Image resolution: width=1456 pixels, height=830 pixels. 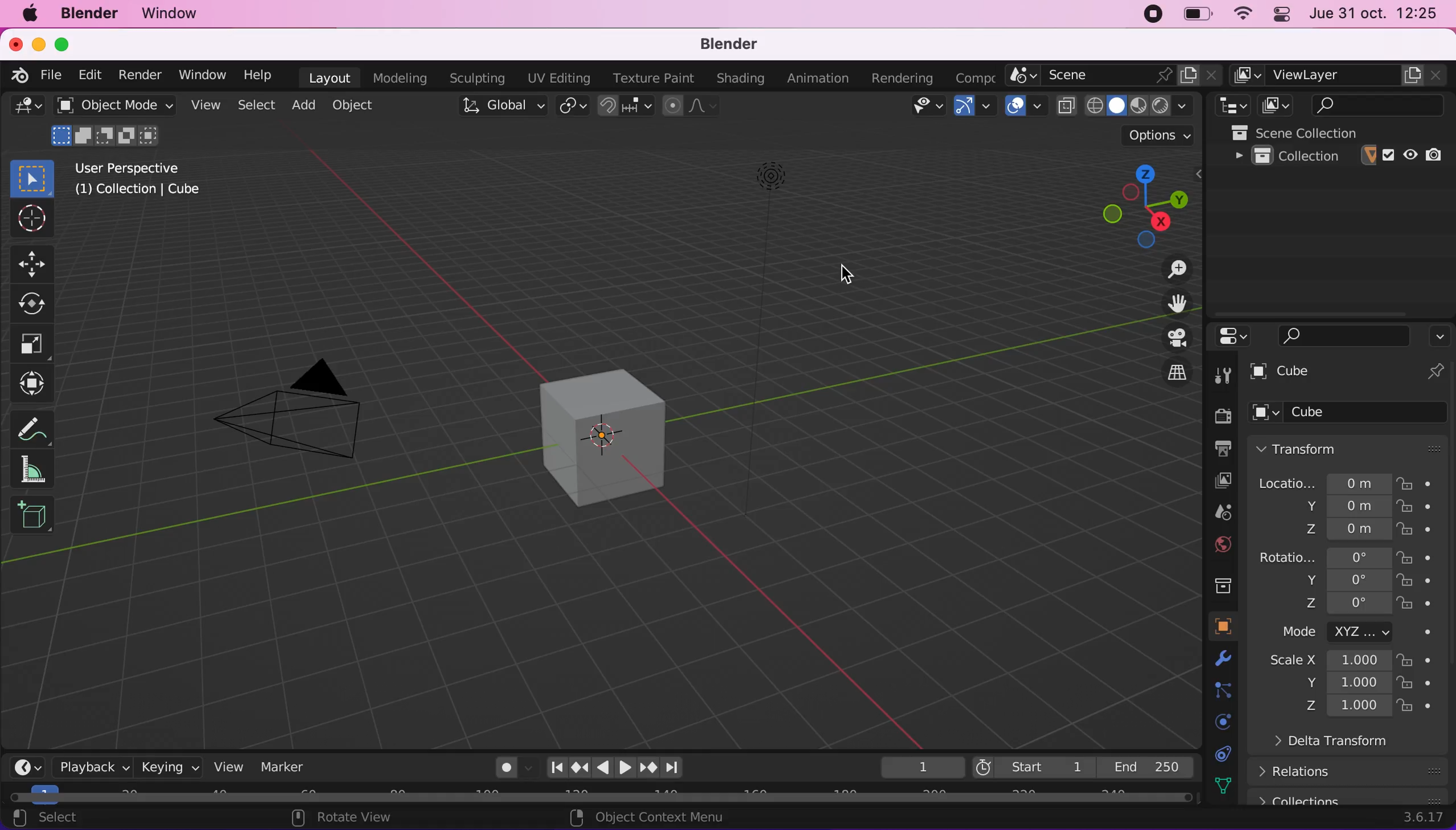 What do you see at coordinates (306, 107) in the screenshot?
I see `add` at bounding box center [306, 107].